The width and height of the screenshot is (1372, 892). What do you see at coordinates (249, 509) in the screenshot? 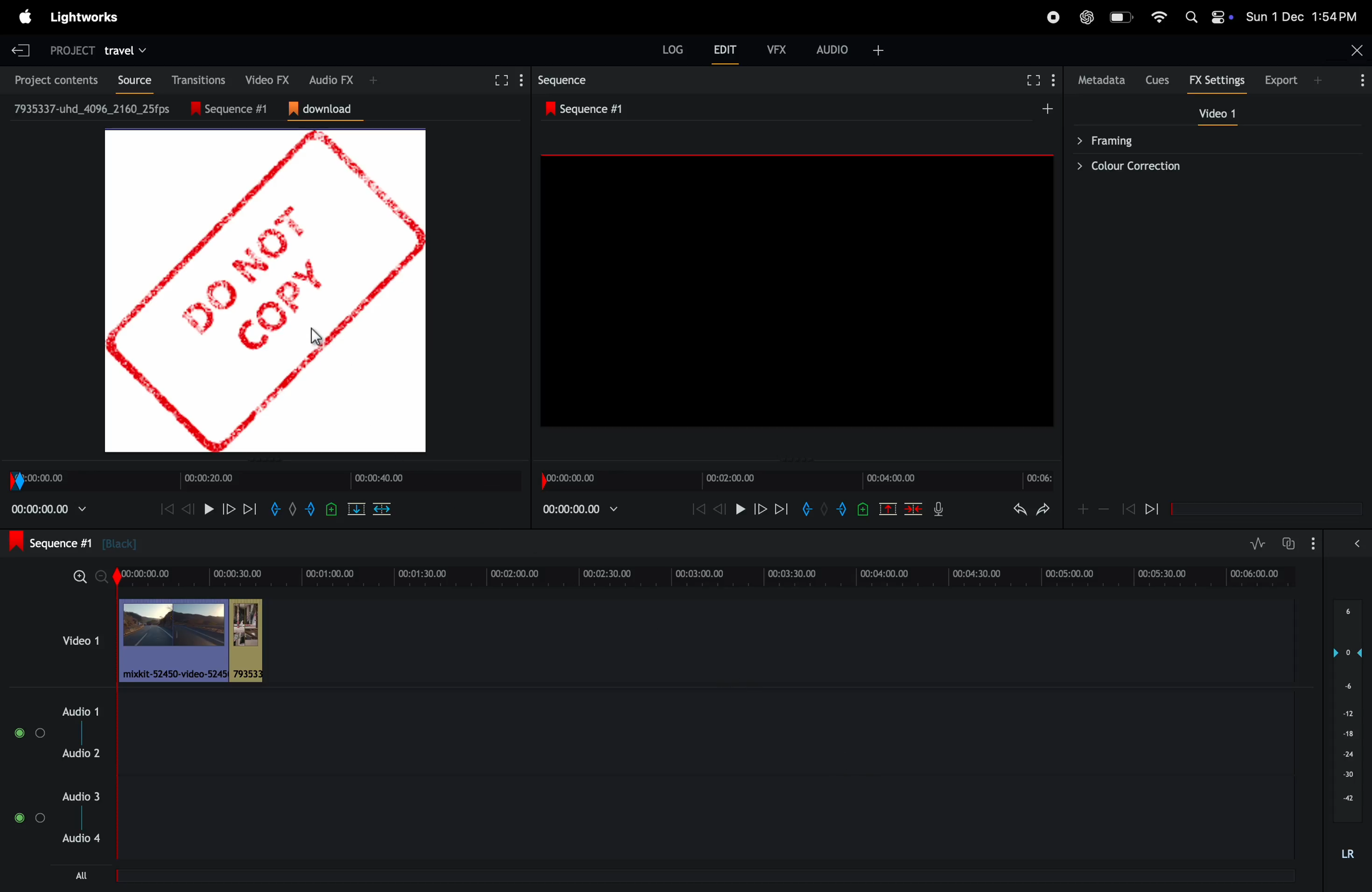
I see `next frame` at bounding box center [249, 509].